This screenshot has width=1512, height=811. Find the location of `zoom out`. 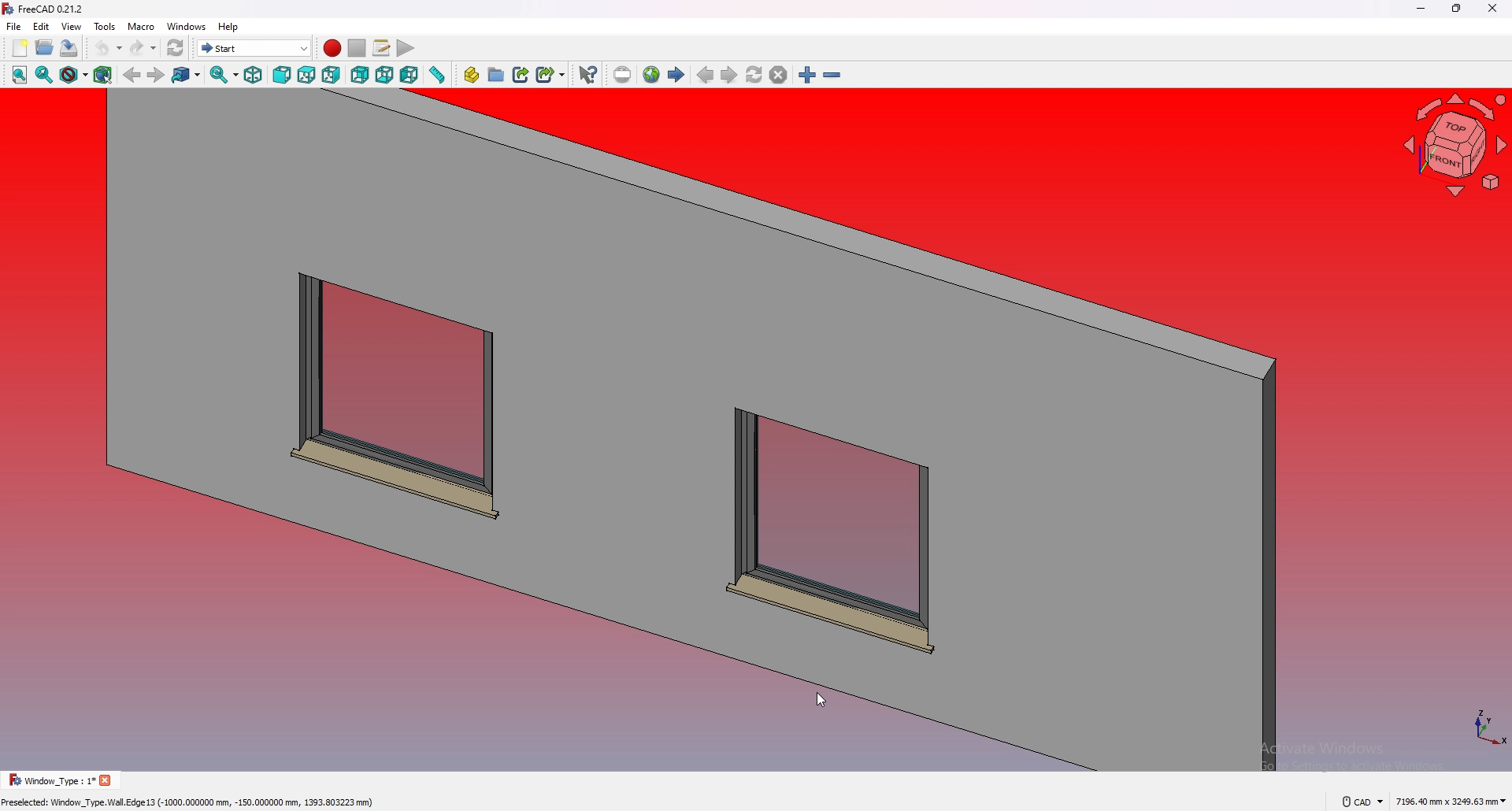

zoom out is located at coordinates (832, 76).